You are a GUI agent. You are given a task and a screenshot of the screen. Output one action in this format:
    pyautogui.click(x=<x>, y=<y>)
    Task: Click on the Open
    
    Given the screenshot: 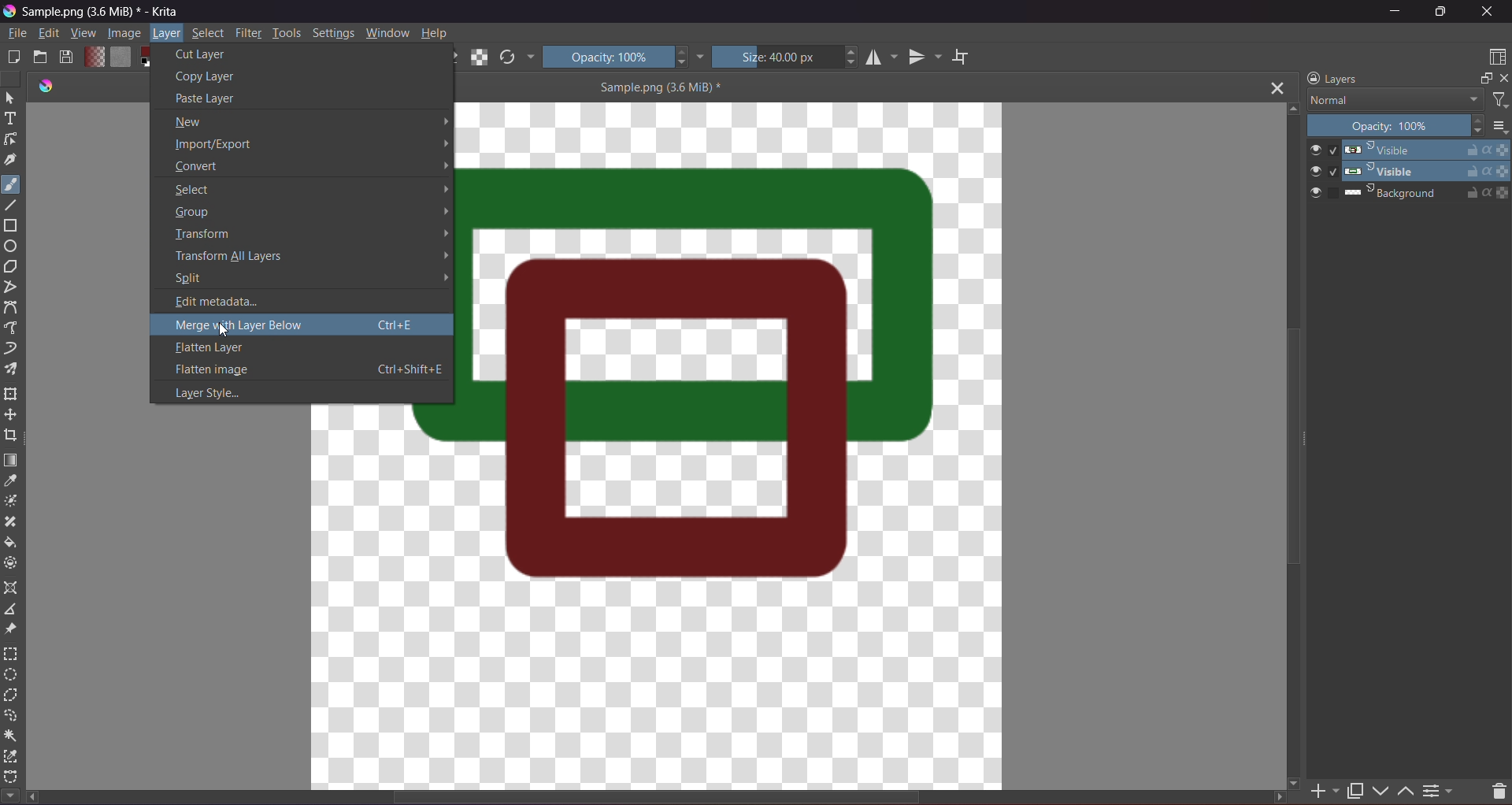 What is the action you would take?
    pyautogui.click(x=41, y=57)
    